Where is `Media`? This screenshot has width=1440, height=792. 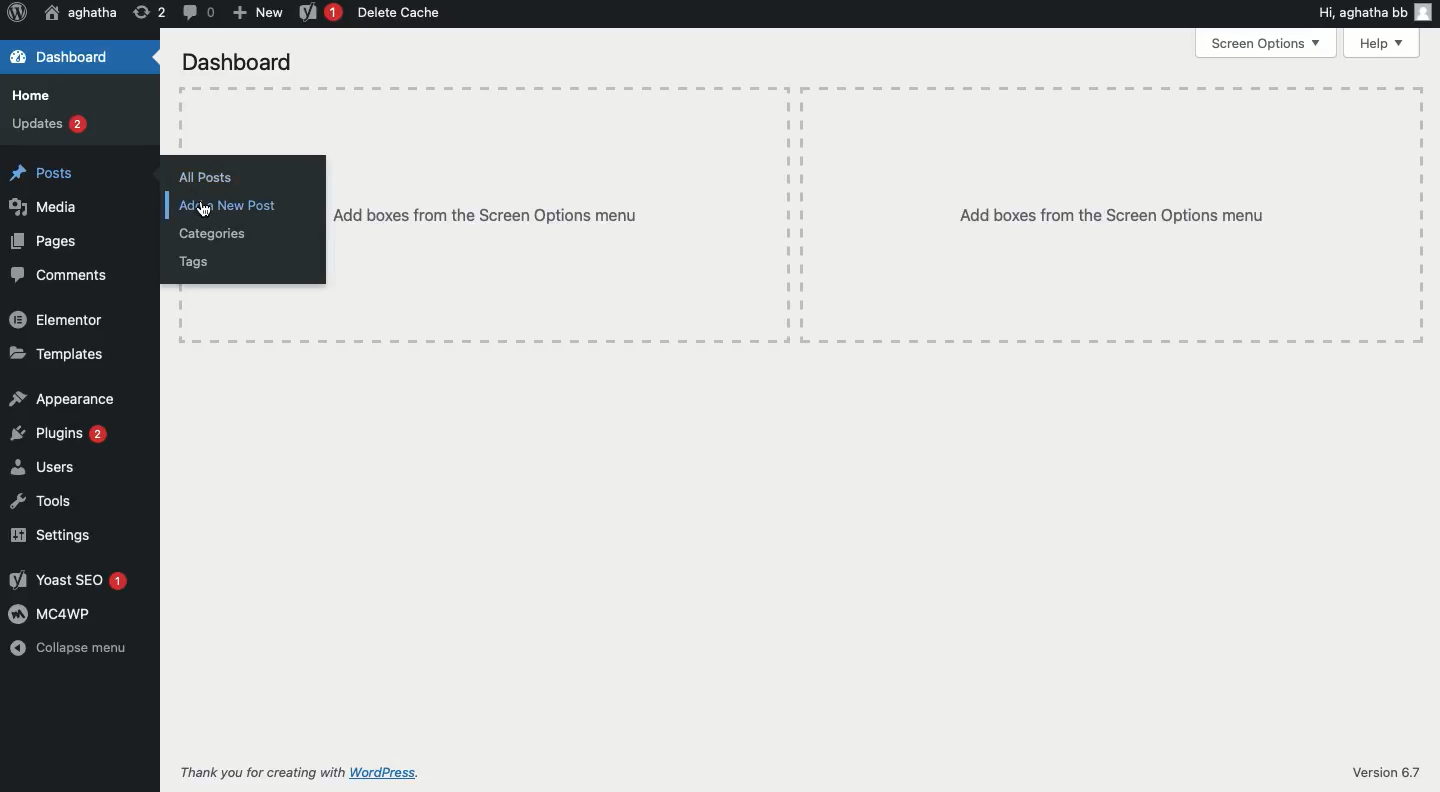
Media is located at coordinates (42, 206).